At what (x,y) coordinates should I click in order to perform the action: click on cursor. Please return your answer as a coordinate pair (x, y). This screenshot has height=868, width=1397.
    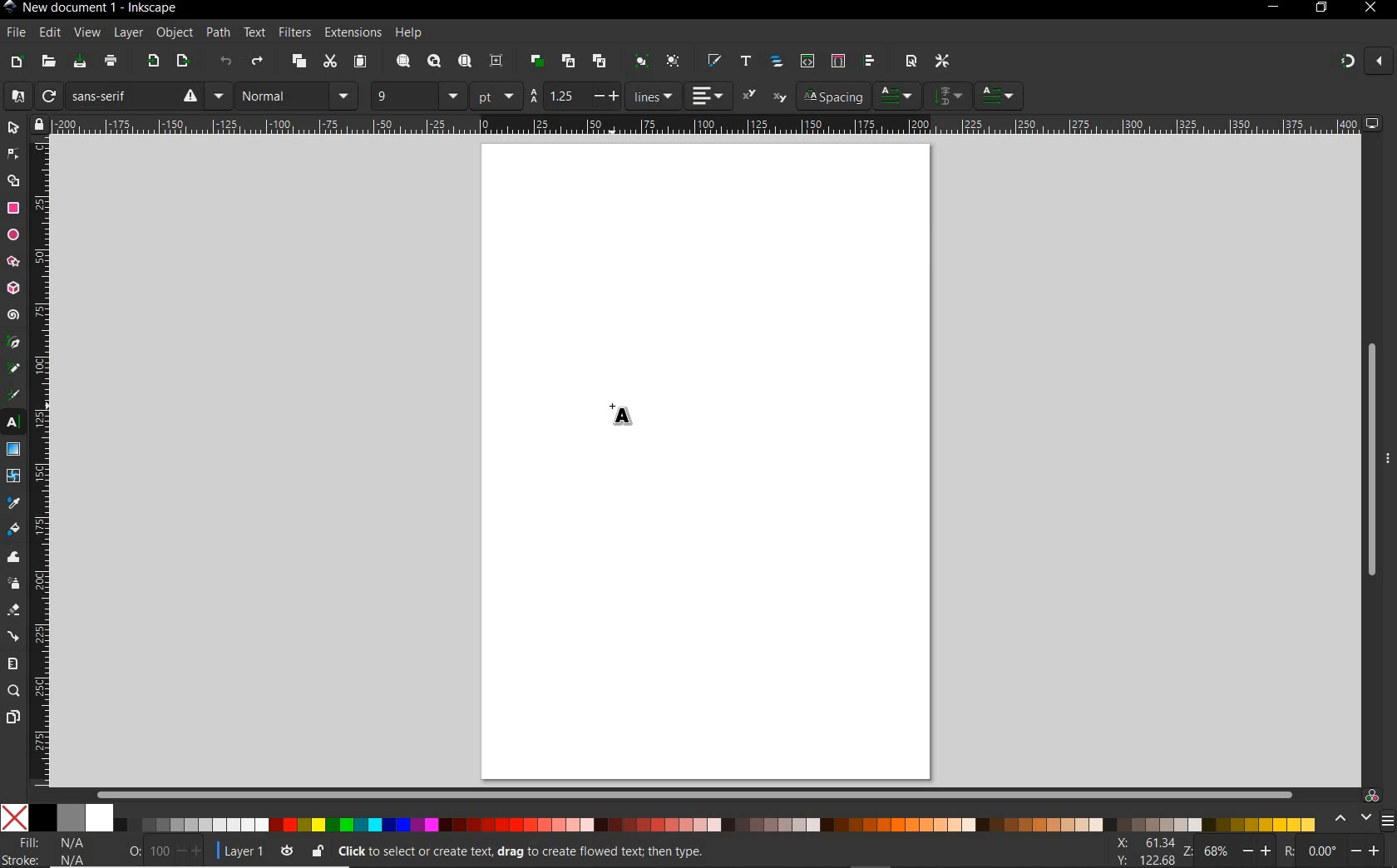
    Looking at the image, I should click on (622, 414).